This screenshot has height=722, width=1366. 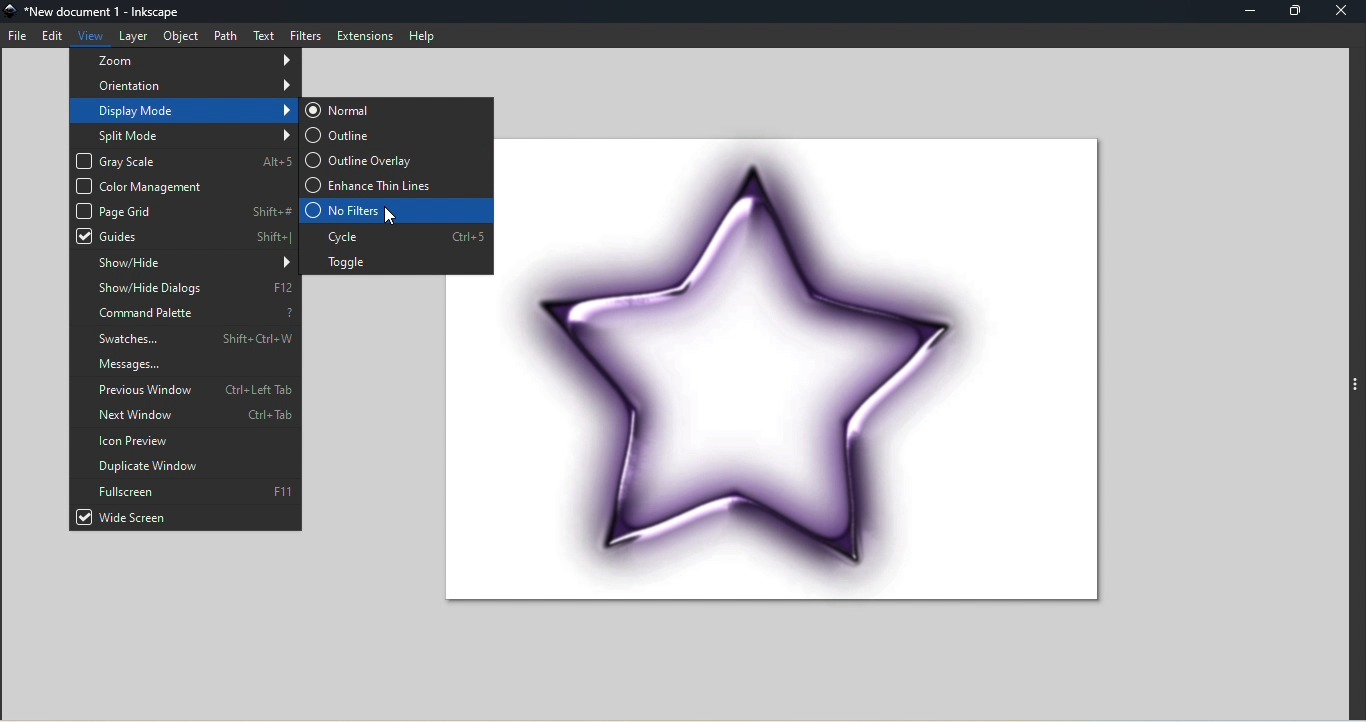 What do you see at coordinates (186, 493) in the screenshot?
I see `Fullscreen` at bounding box center [186, 493].